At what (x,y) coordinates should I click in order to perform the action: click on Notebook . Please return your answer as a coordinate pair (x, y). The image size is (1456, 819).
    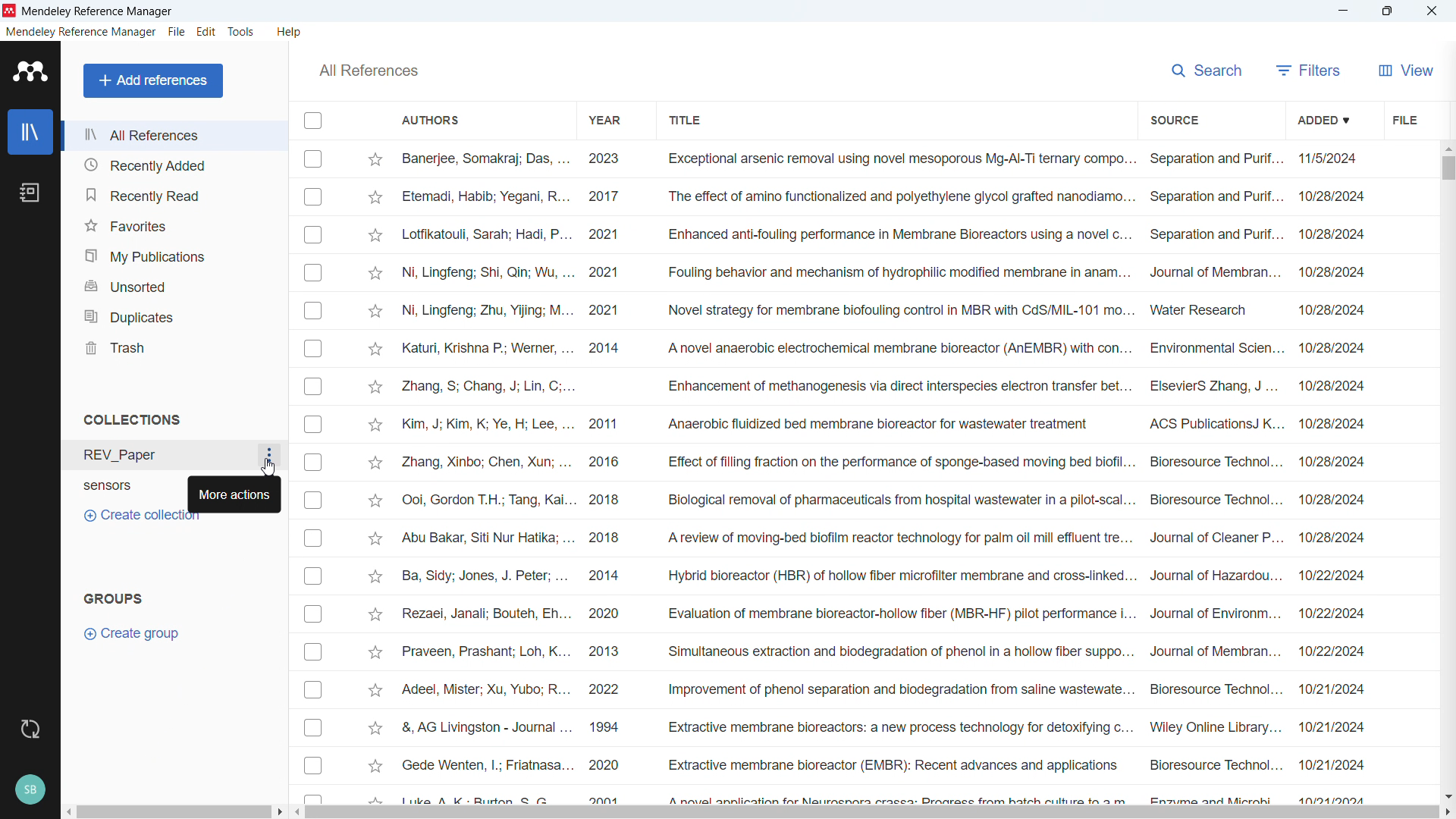
    Looking at the image, I should click on (30, 193).